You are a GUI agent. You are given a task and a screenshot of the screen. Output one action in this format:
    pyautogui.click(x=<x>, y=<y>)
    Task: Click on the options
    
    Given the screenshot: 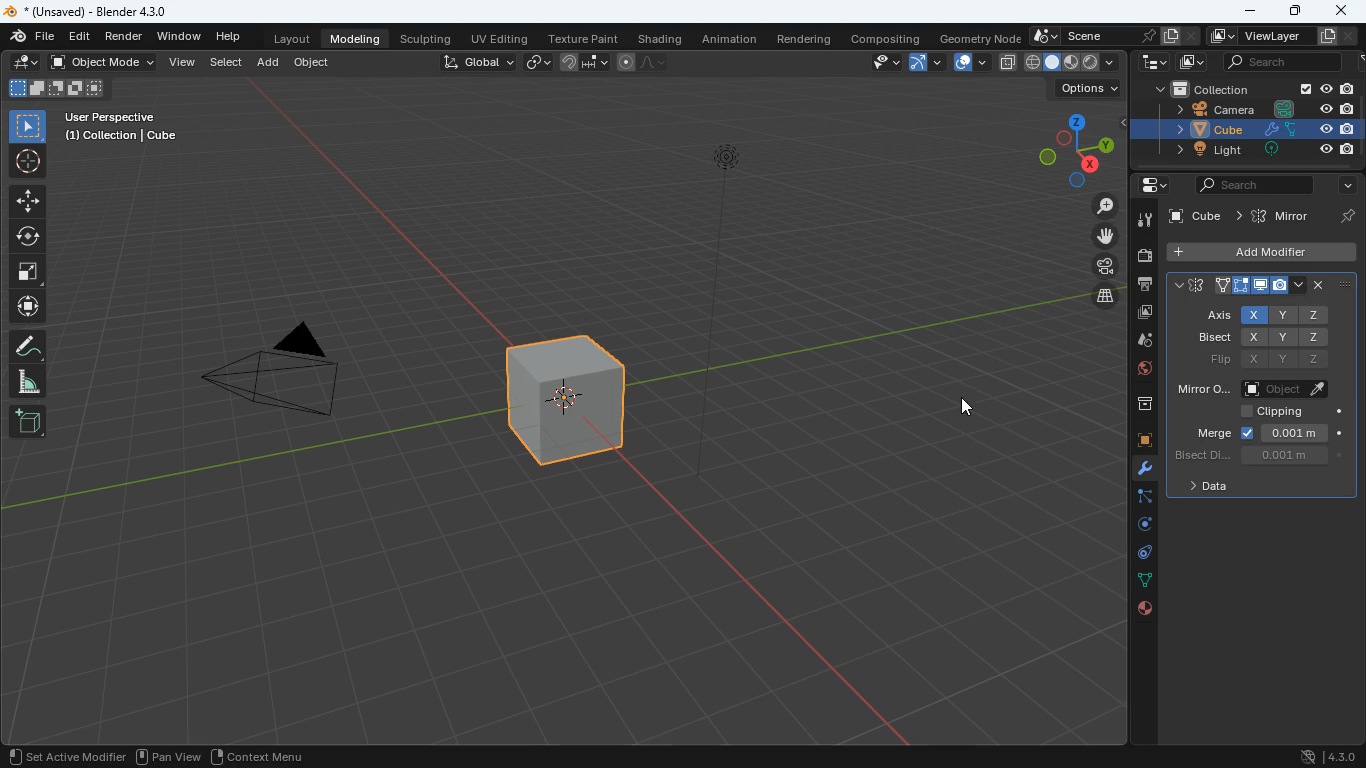 What is the action you would take?
    pyautogui.click(x=1088, y=89)
    